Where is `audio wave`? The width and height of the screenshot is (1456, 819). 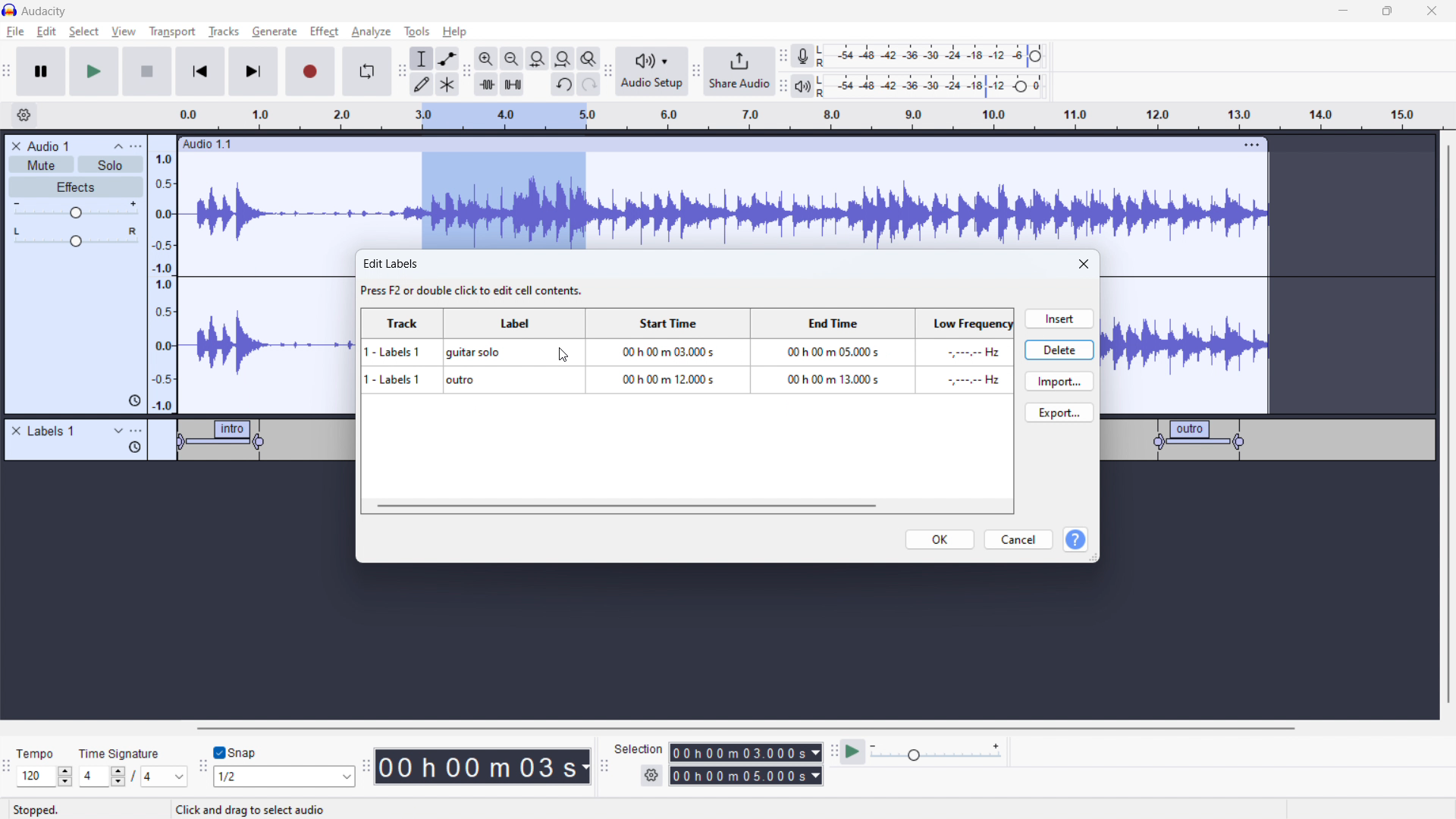
audio wave is located at coordinates (723, 202).